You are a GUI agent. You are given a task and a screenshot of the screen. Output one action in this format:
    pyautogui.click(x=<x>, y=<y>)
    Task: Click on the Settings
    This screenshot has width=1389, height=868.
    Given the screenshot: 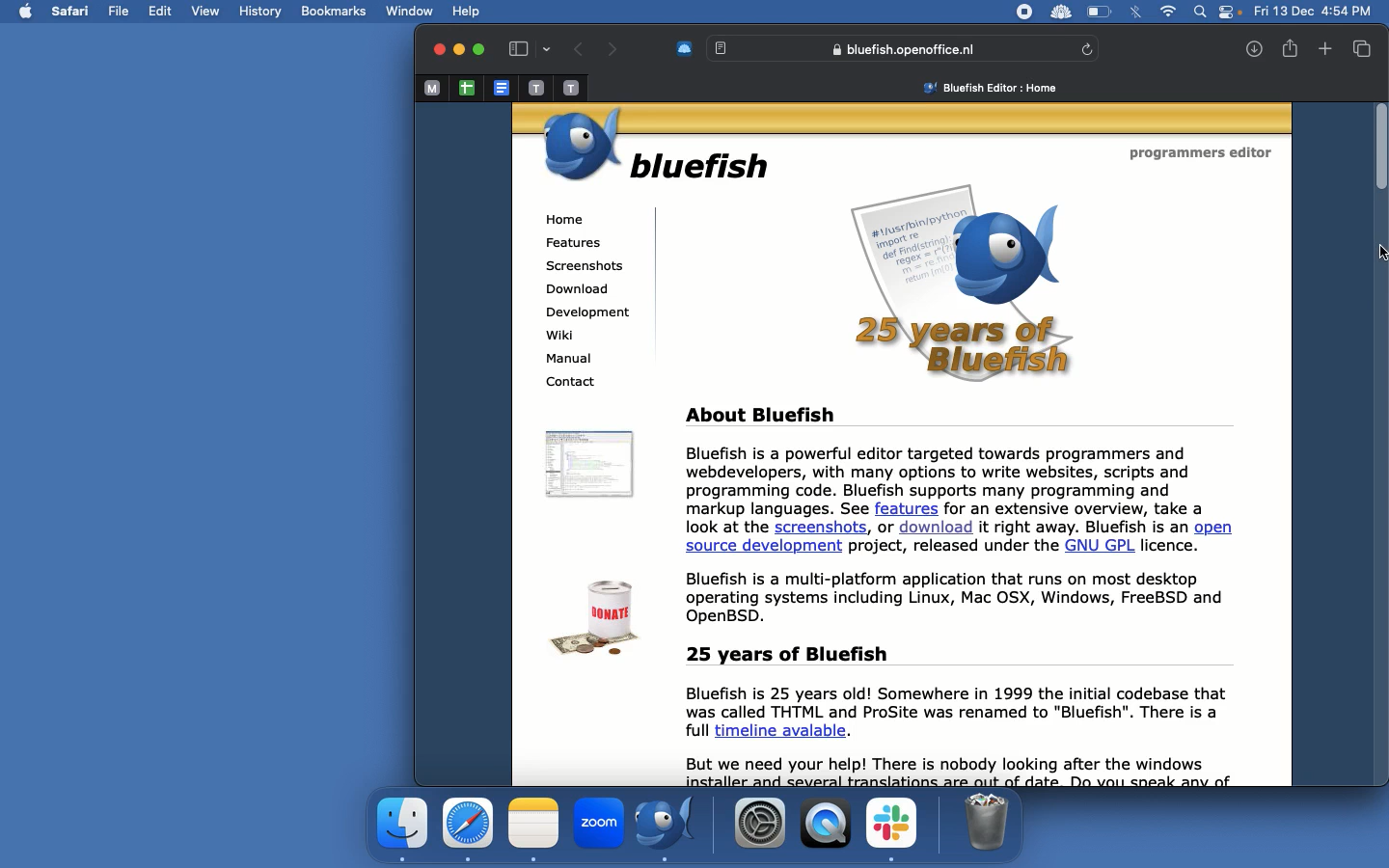 What is the action you would take?
    pyautogui.click(x=760, y=823)
    